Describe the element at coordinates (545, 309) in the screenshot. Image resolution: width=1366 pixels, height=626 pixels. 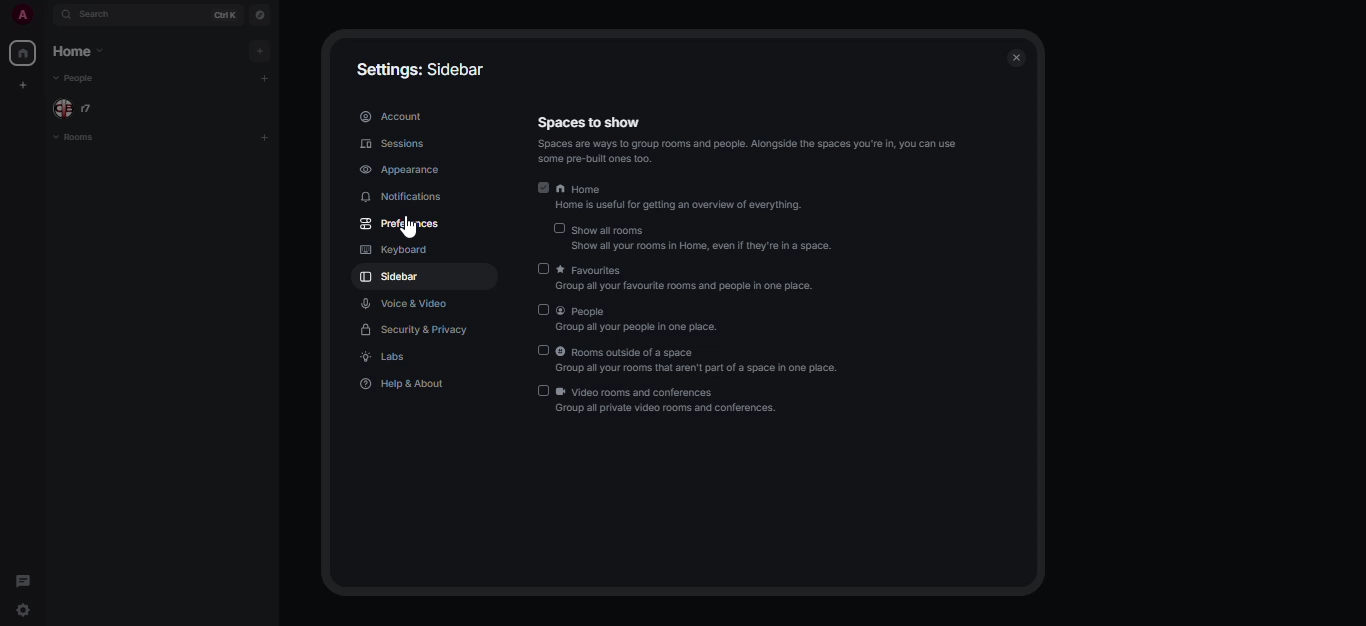
I see `disabled` at that location.